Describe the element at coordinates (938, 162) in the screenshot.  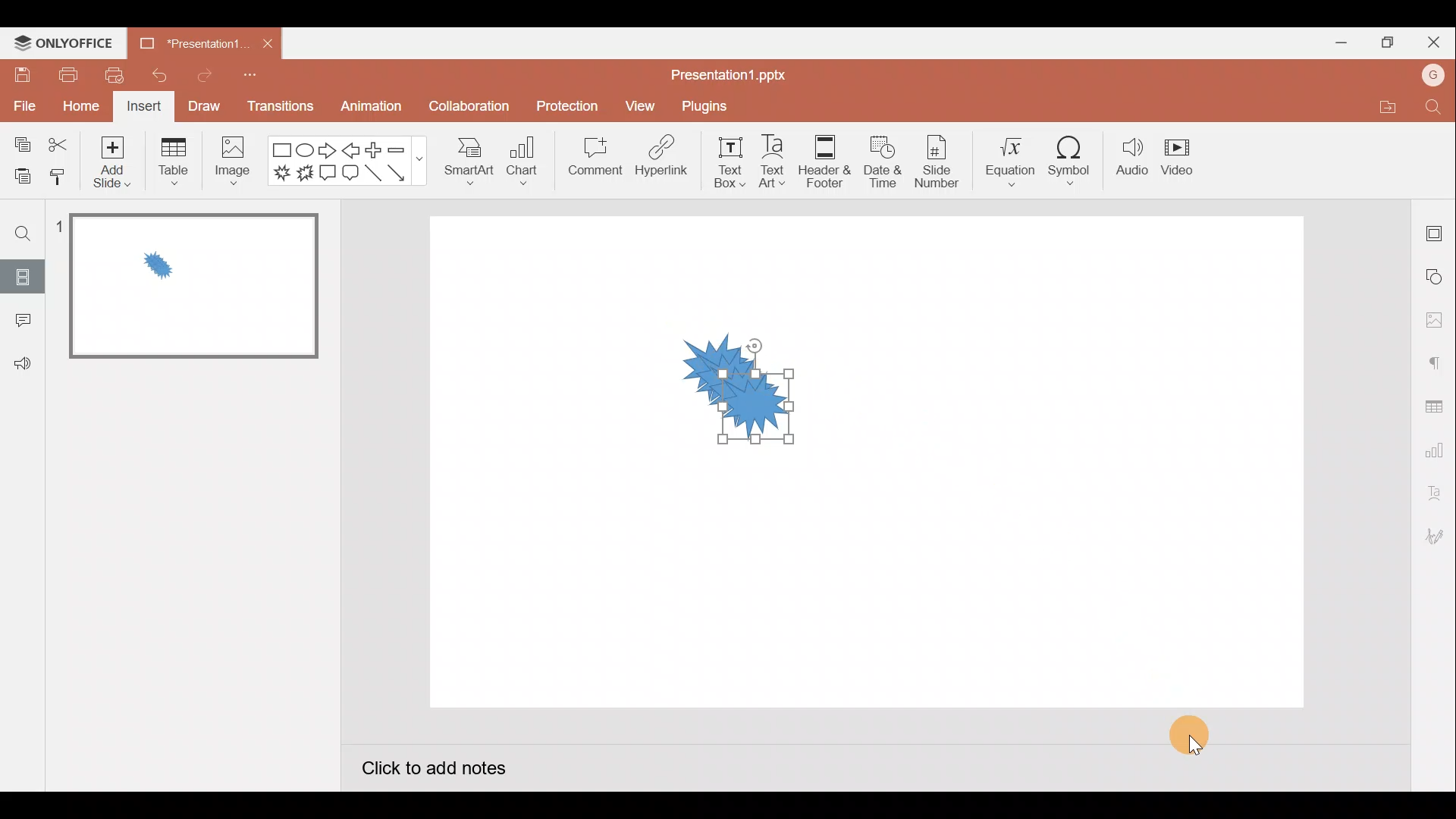
I see `Slide number` at that location.